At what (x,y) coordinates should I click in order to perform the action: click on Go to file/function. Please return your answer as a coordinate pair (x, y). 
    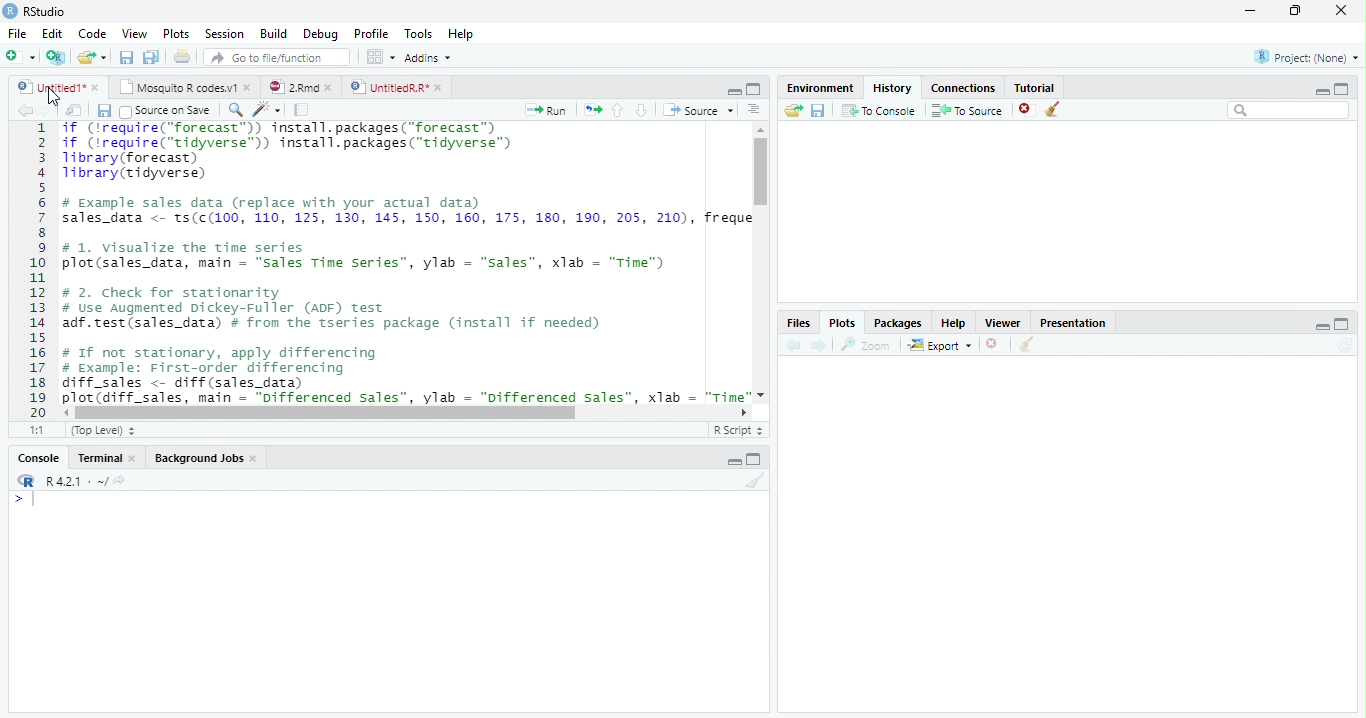
    Looking at the image, I should click on (277, 57).